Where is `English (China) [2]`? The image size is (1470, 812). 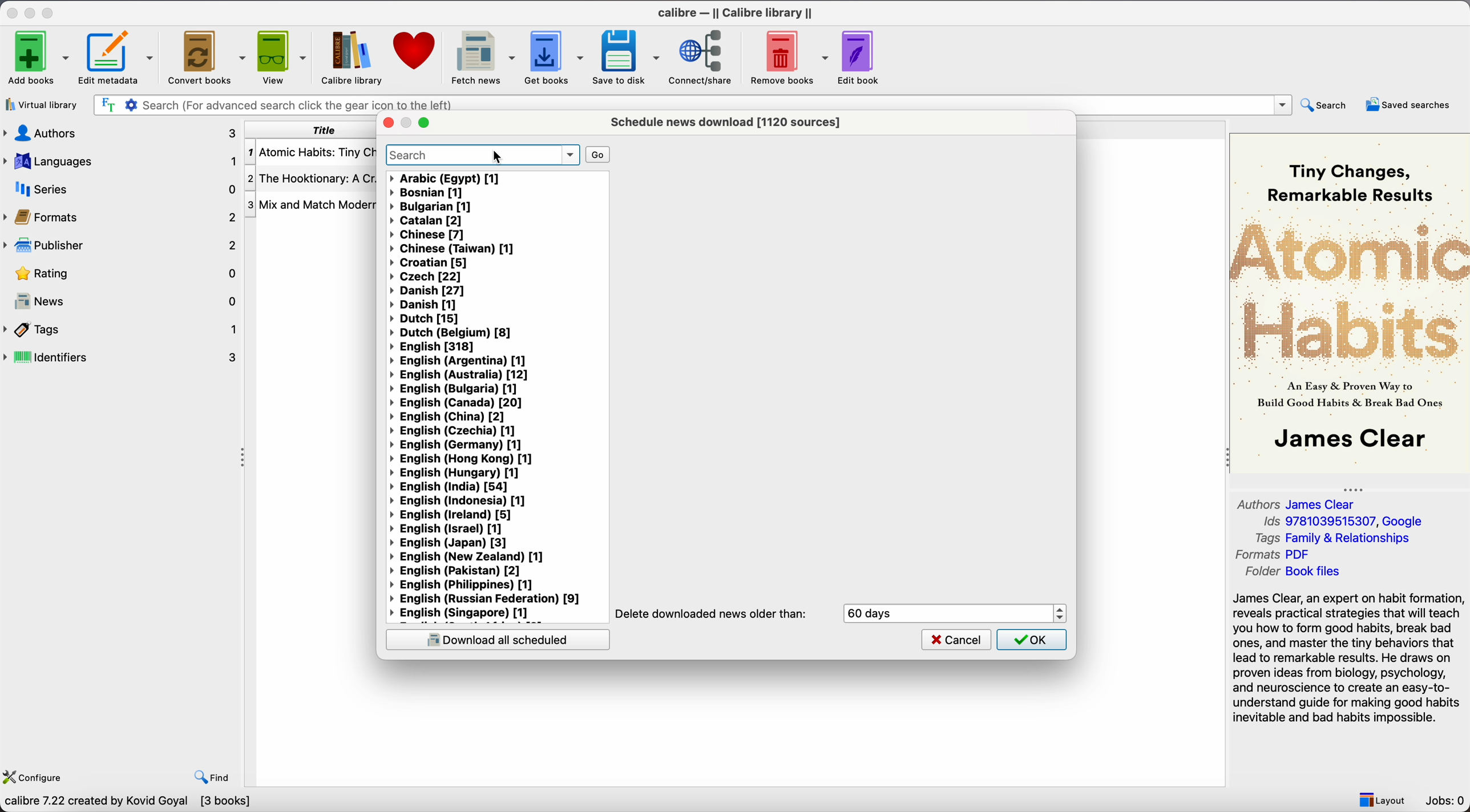 English (China) [2] is located at coordinates (447, 417).